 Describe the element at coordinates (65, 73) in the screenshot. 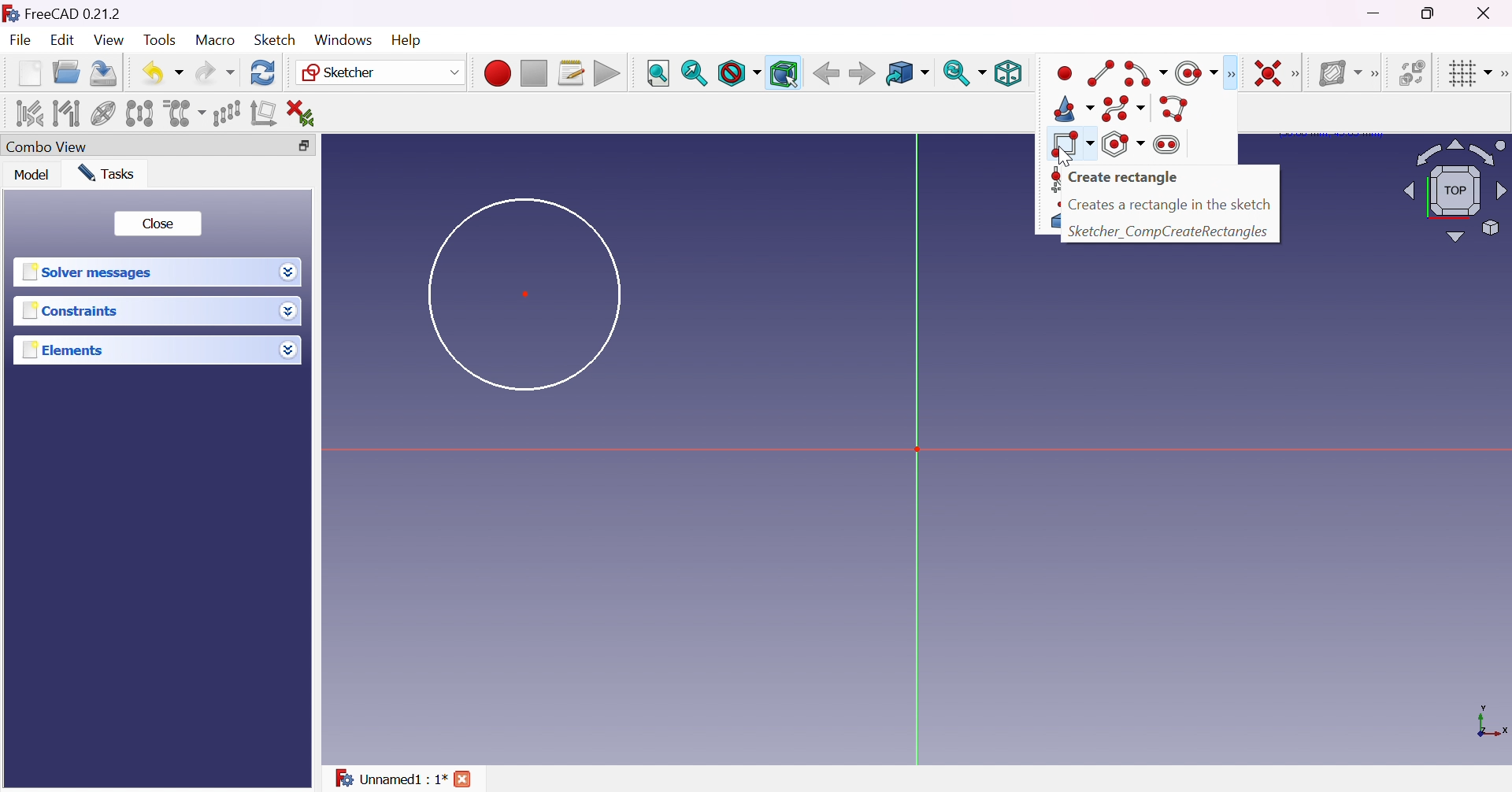

I see `Open...` at that location.